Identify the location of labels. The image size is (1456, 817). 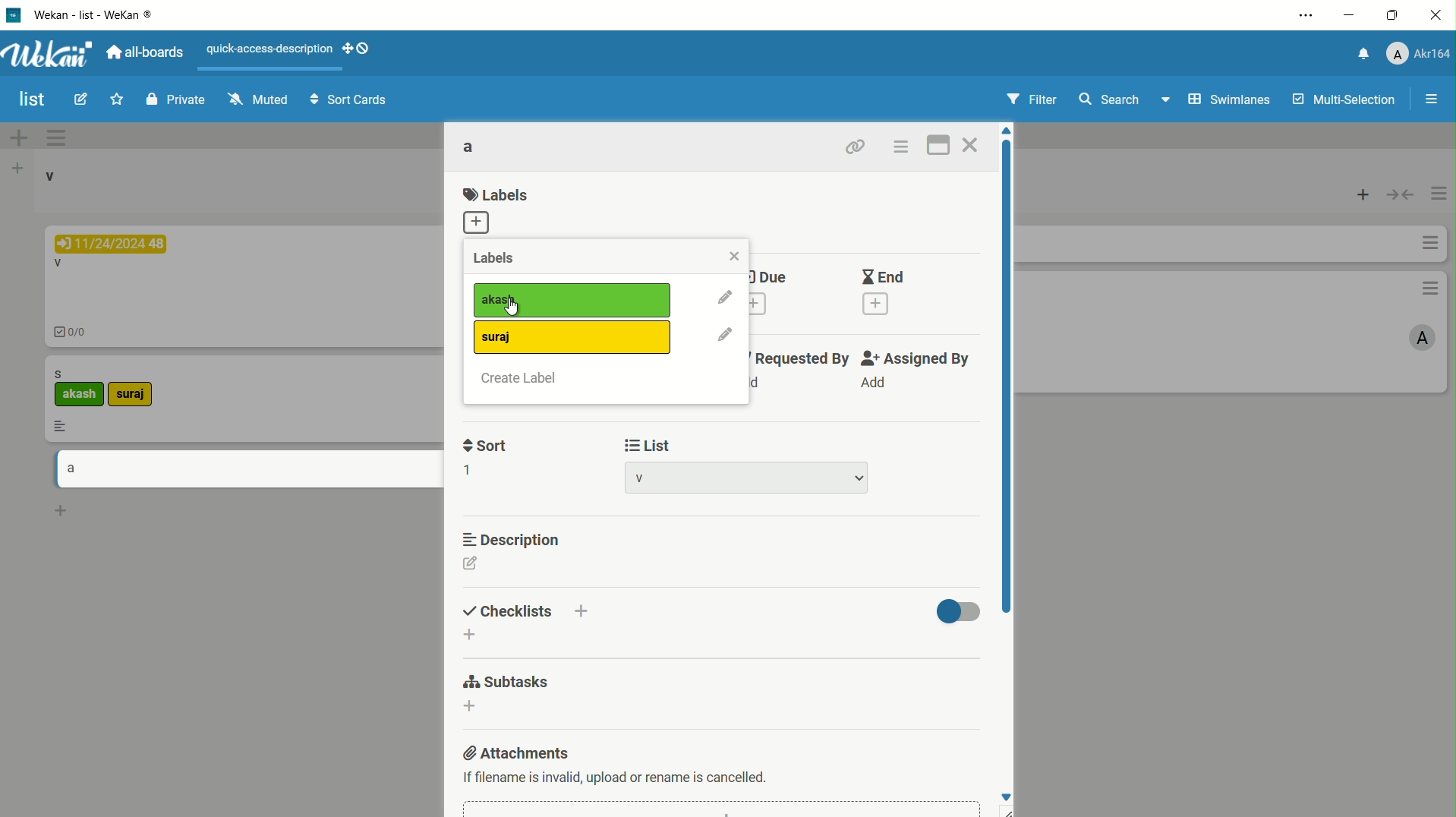
(496, 195).